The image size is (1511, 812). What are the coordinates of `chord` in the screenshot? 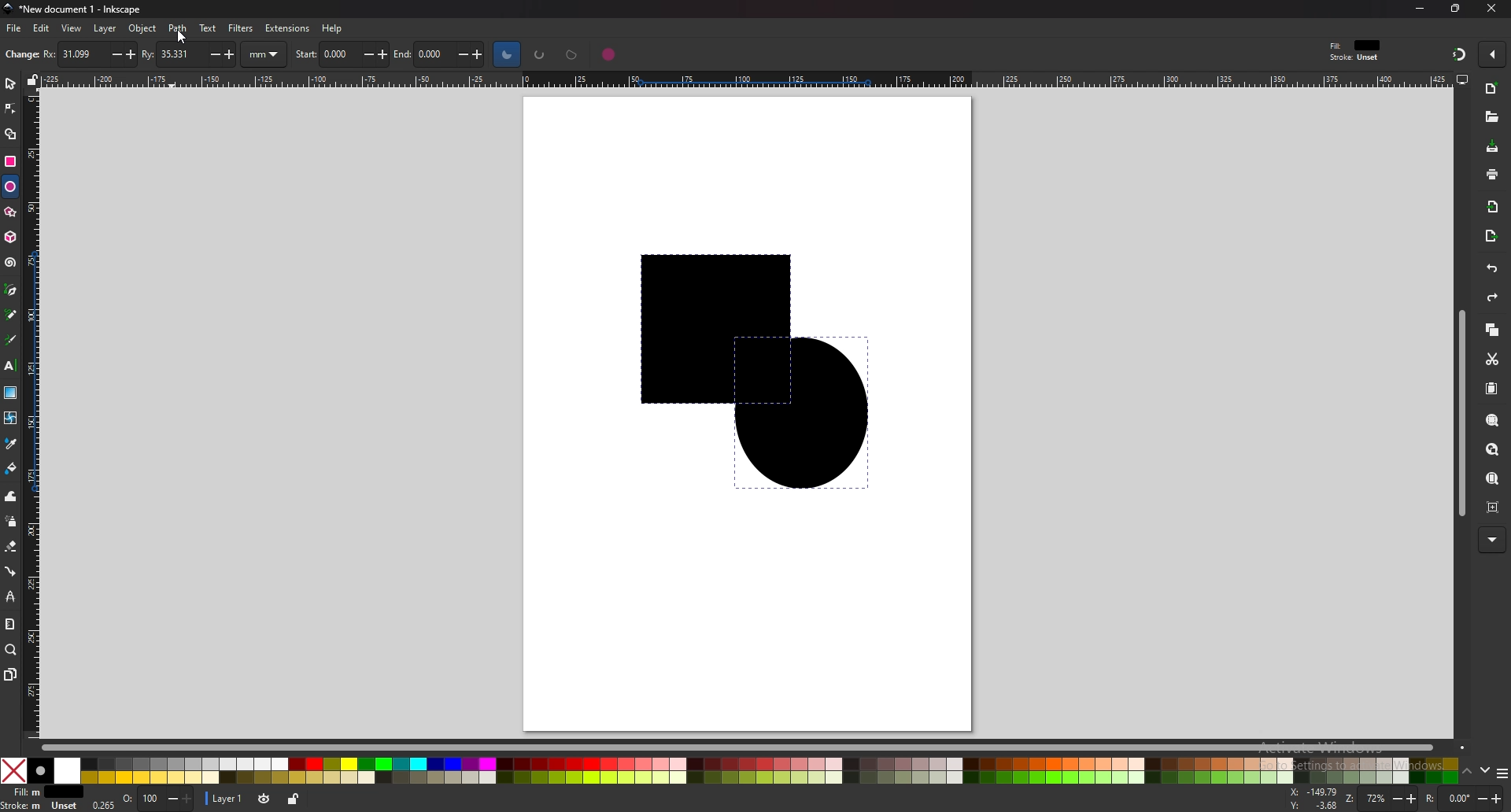 It's located at (572, 54).